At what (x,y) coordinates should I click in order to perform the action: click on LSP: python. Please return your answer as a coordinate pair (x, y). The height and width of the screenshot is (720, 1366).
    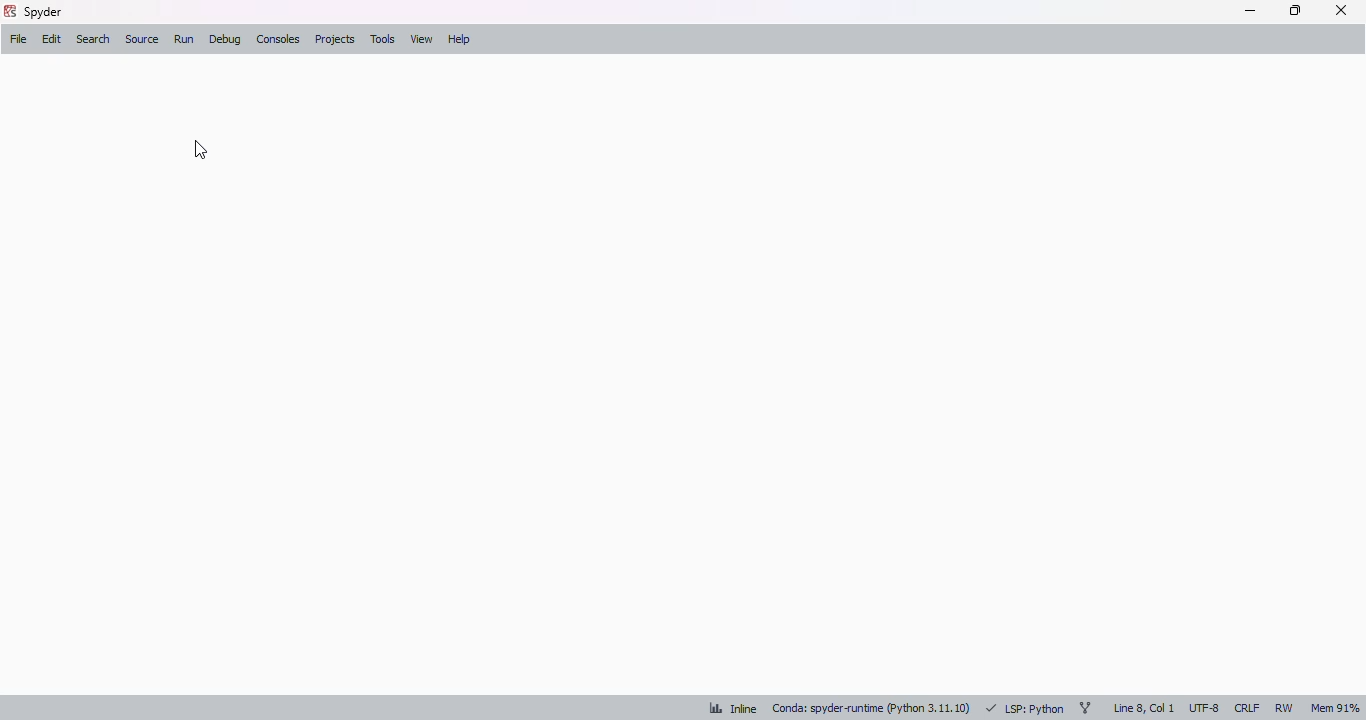
    Looking at the image, I should click on (1024, 709).